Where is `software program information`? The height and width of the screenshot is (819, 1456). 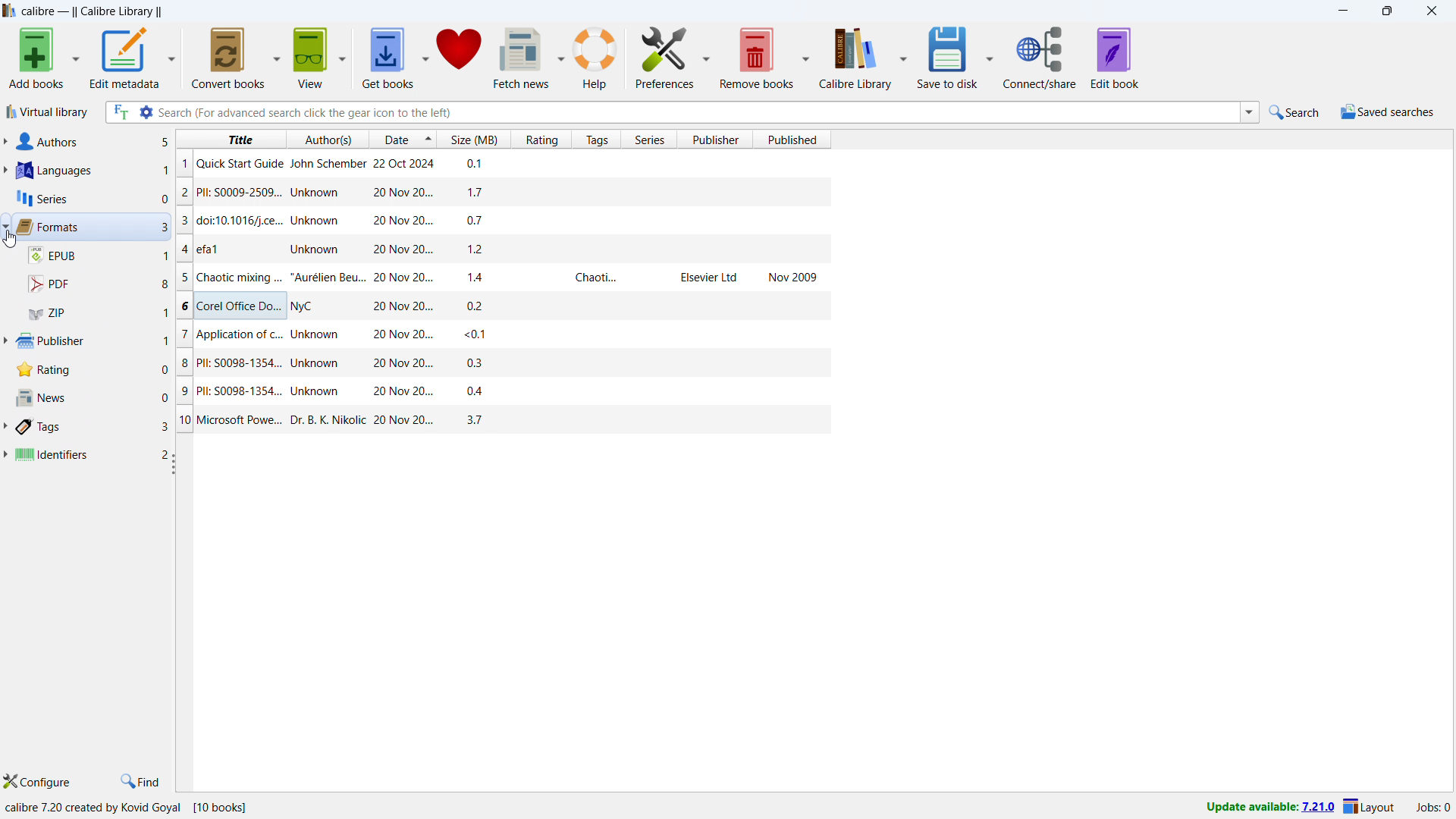 software program information is located at coordinates (127, 808).